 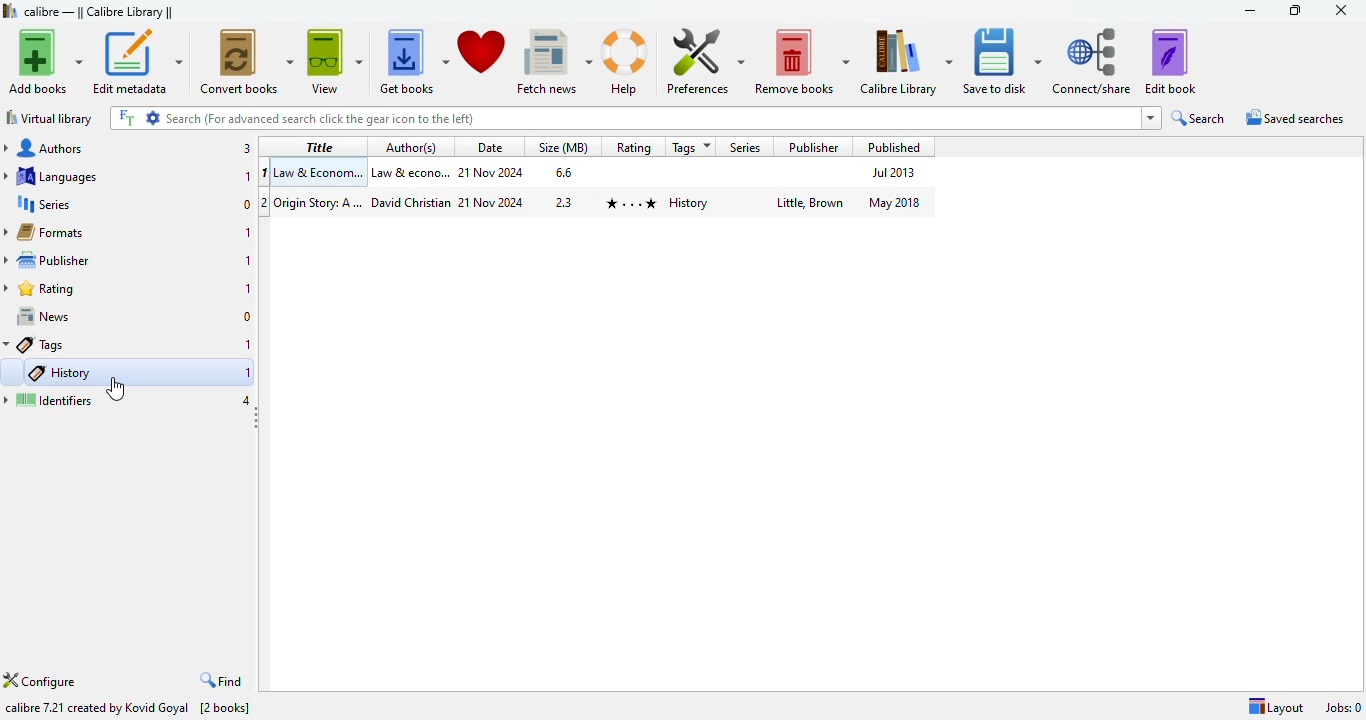 I want to click on add books, so click(x=45, y=61).